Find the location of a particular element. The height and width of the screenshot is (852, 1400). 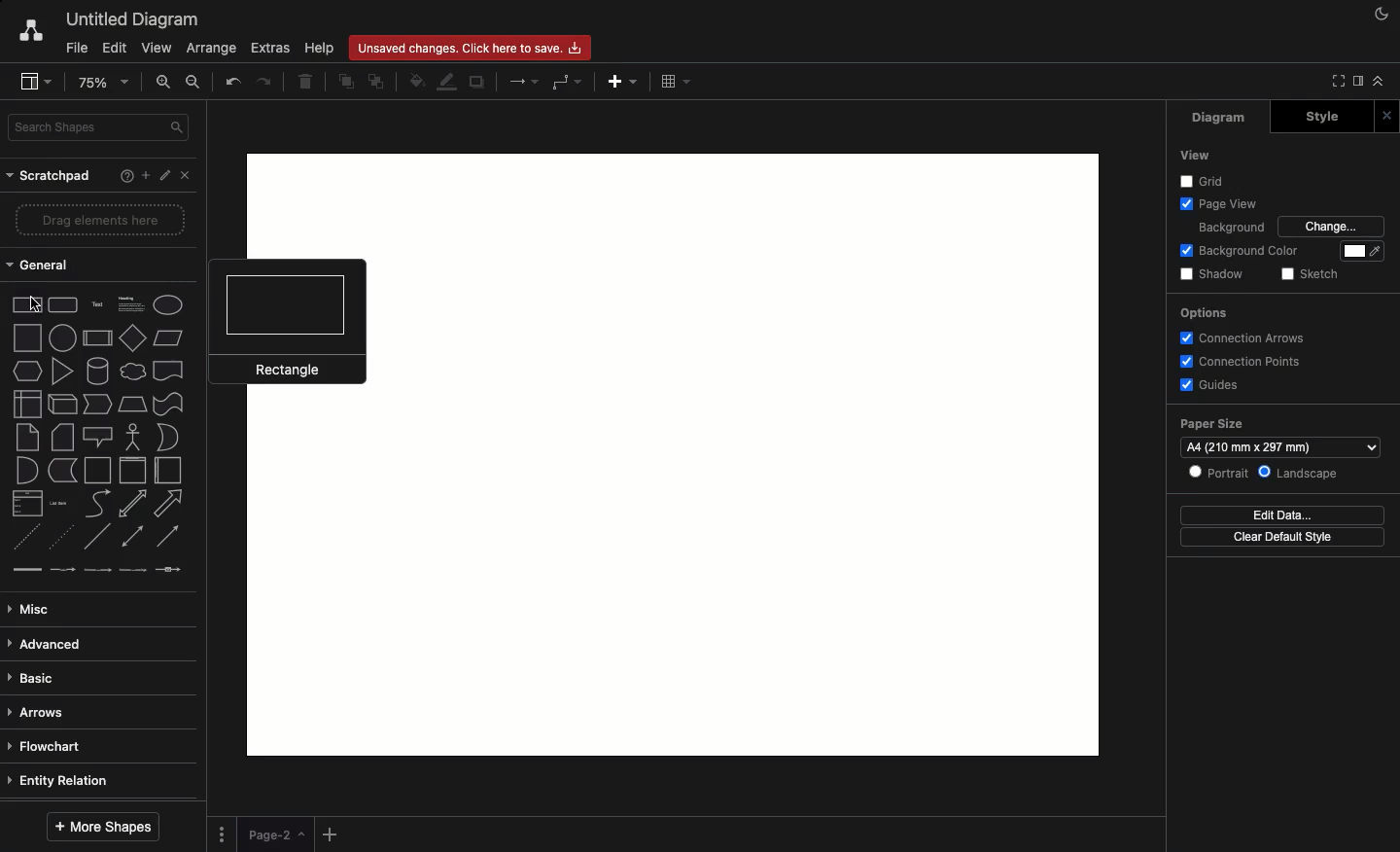

Collapse is located at coordinates (1378, 82).